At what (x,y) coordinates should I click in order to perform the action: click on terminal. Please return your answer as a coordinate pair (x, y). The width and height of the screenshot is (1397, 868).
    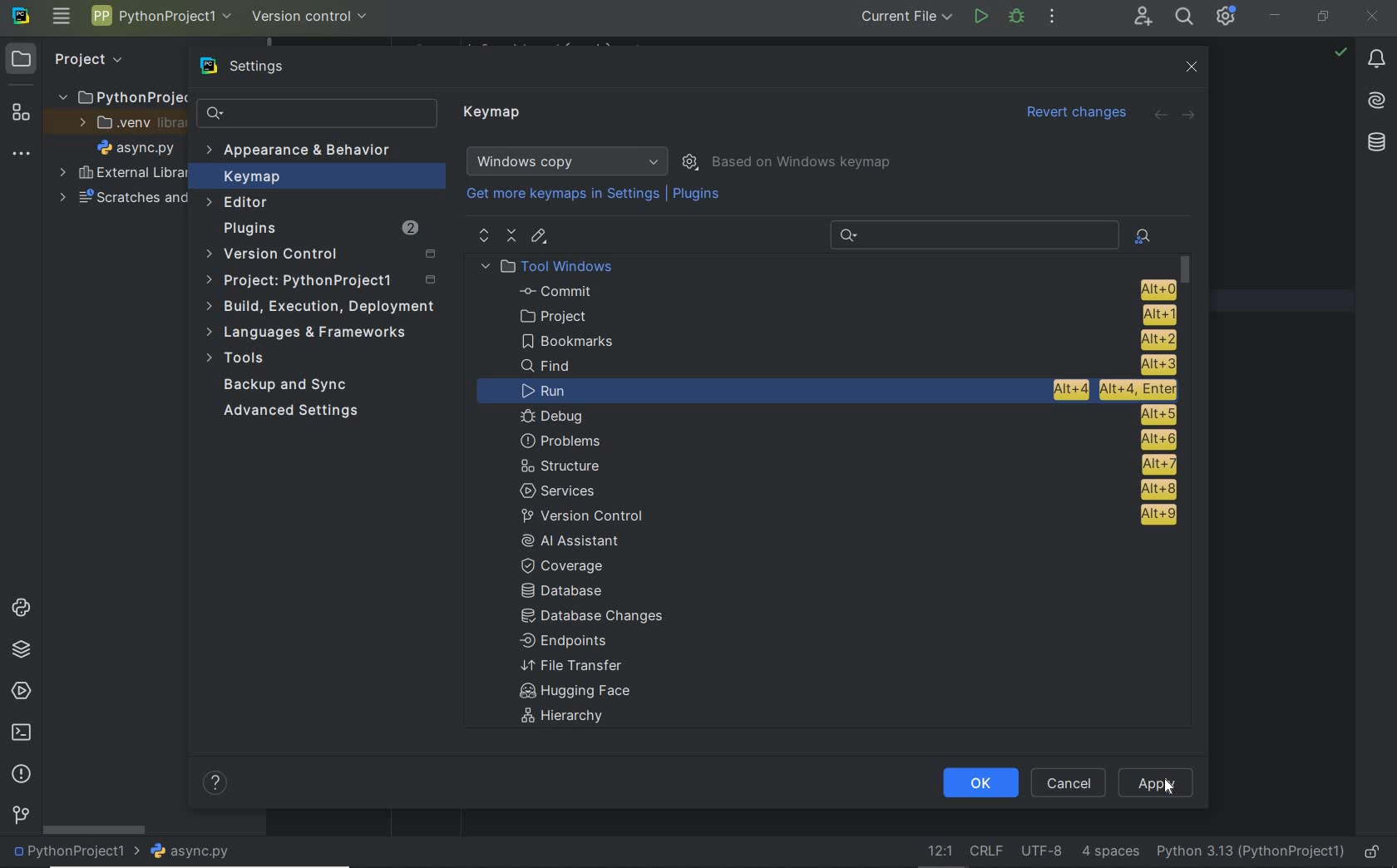
    Looking at the image, I should click on (20, 733).